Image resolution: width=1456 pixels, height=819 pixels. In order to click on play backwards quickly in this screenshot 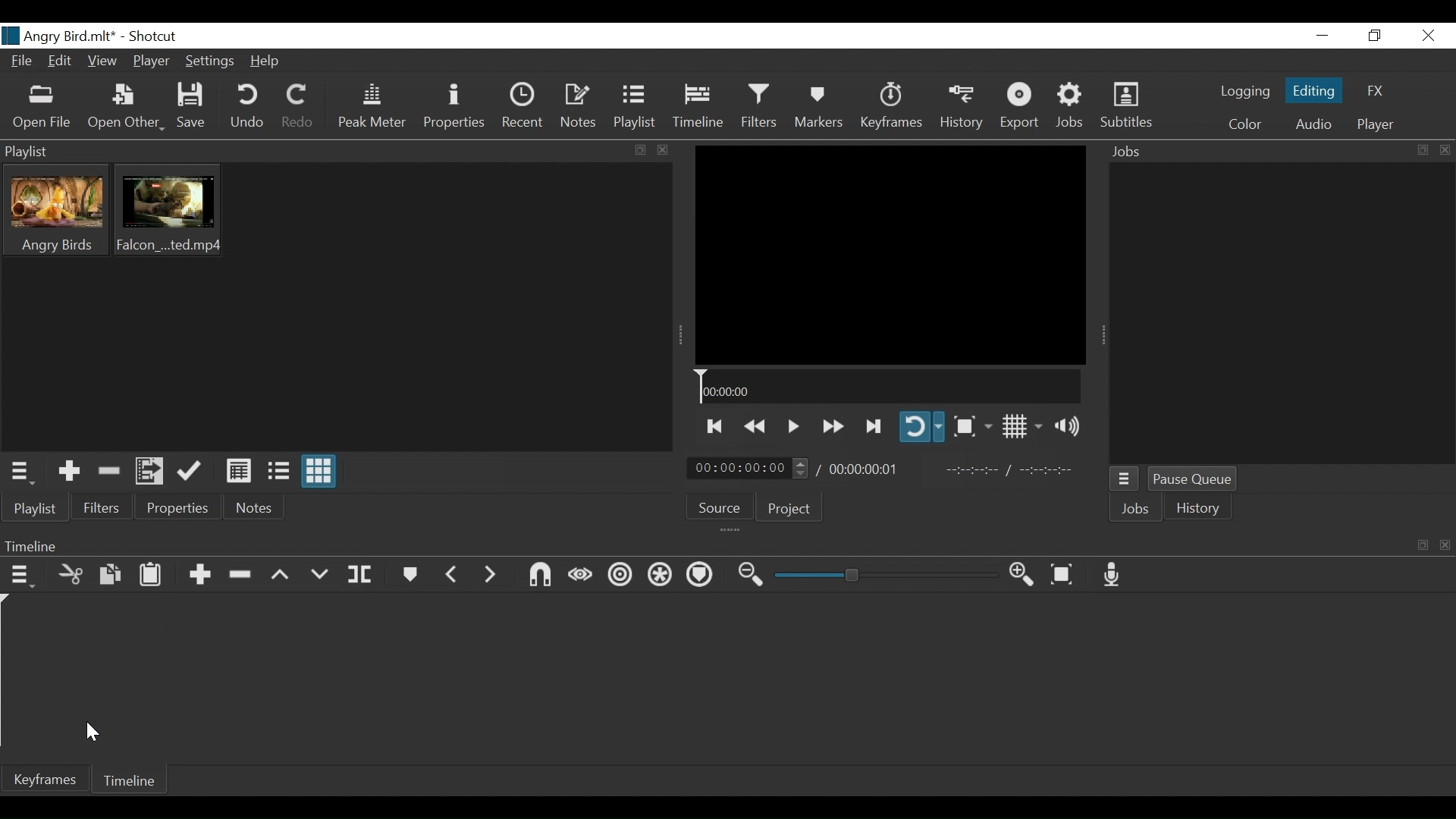, I will do `click(756, 425)`.